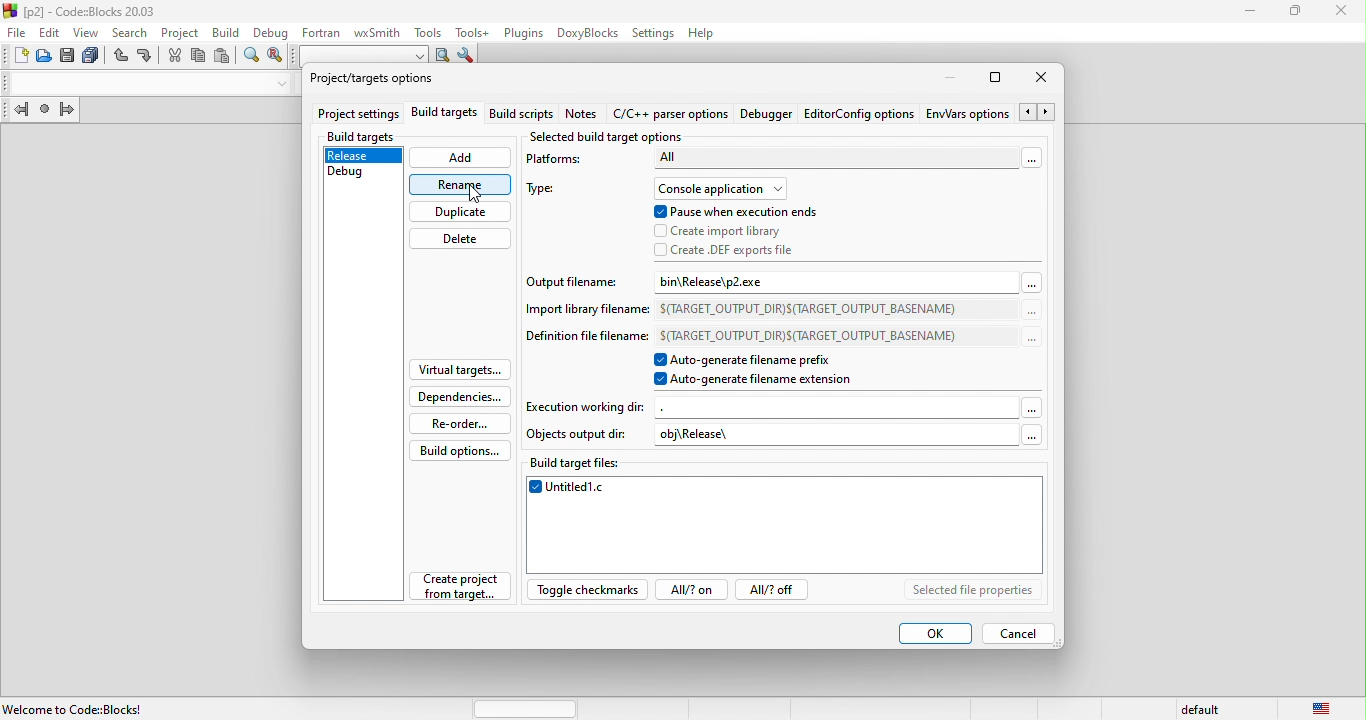 The width and height of the screenshot is (1366, 720). I want to click on build options, so click(460, 451).